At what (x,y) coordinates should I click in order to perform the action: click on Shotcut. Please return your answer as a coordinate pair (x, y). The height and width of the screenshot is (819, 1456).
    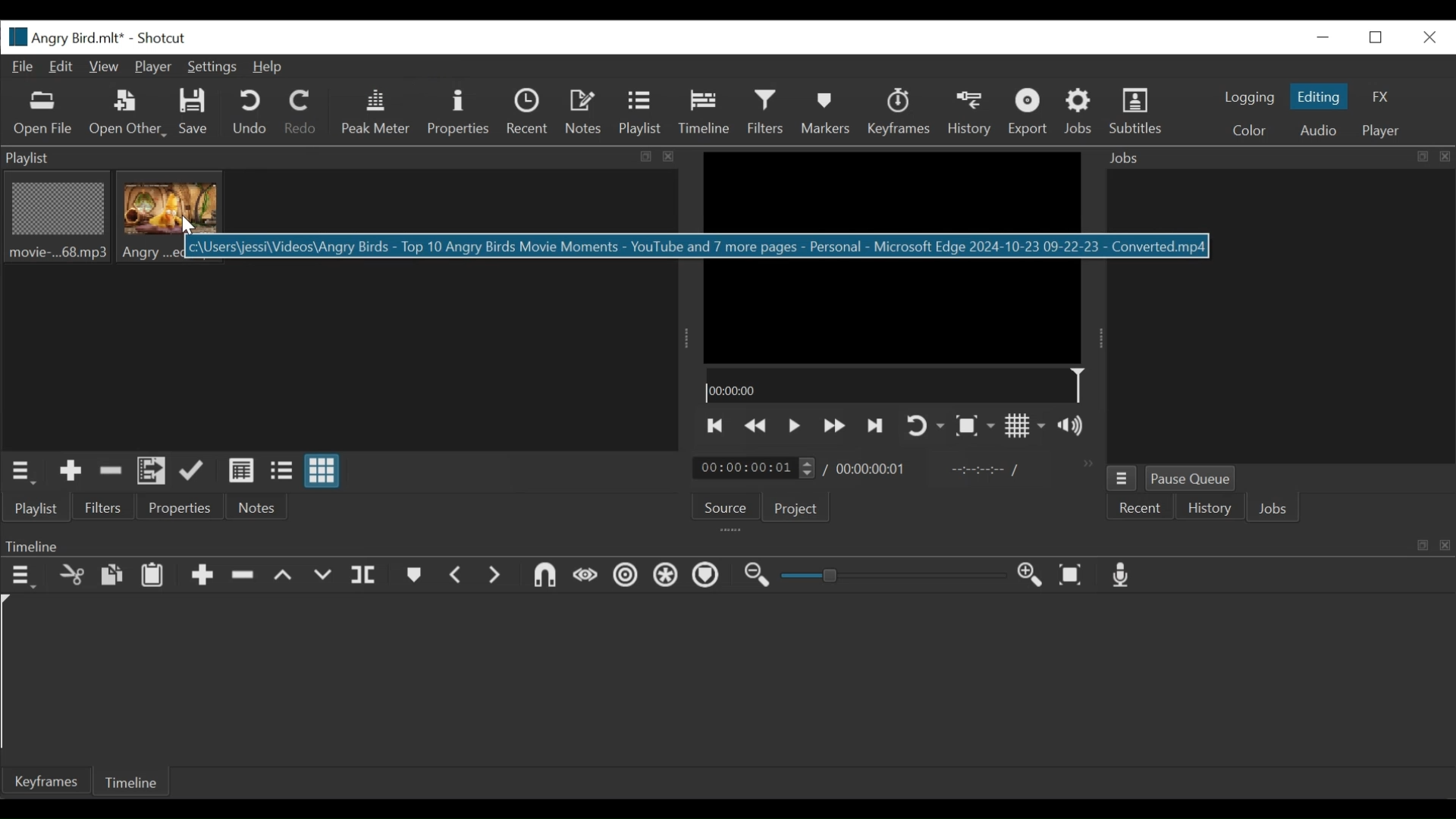
    Looking at the image, I should click on (166, 37).